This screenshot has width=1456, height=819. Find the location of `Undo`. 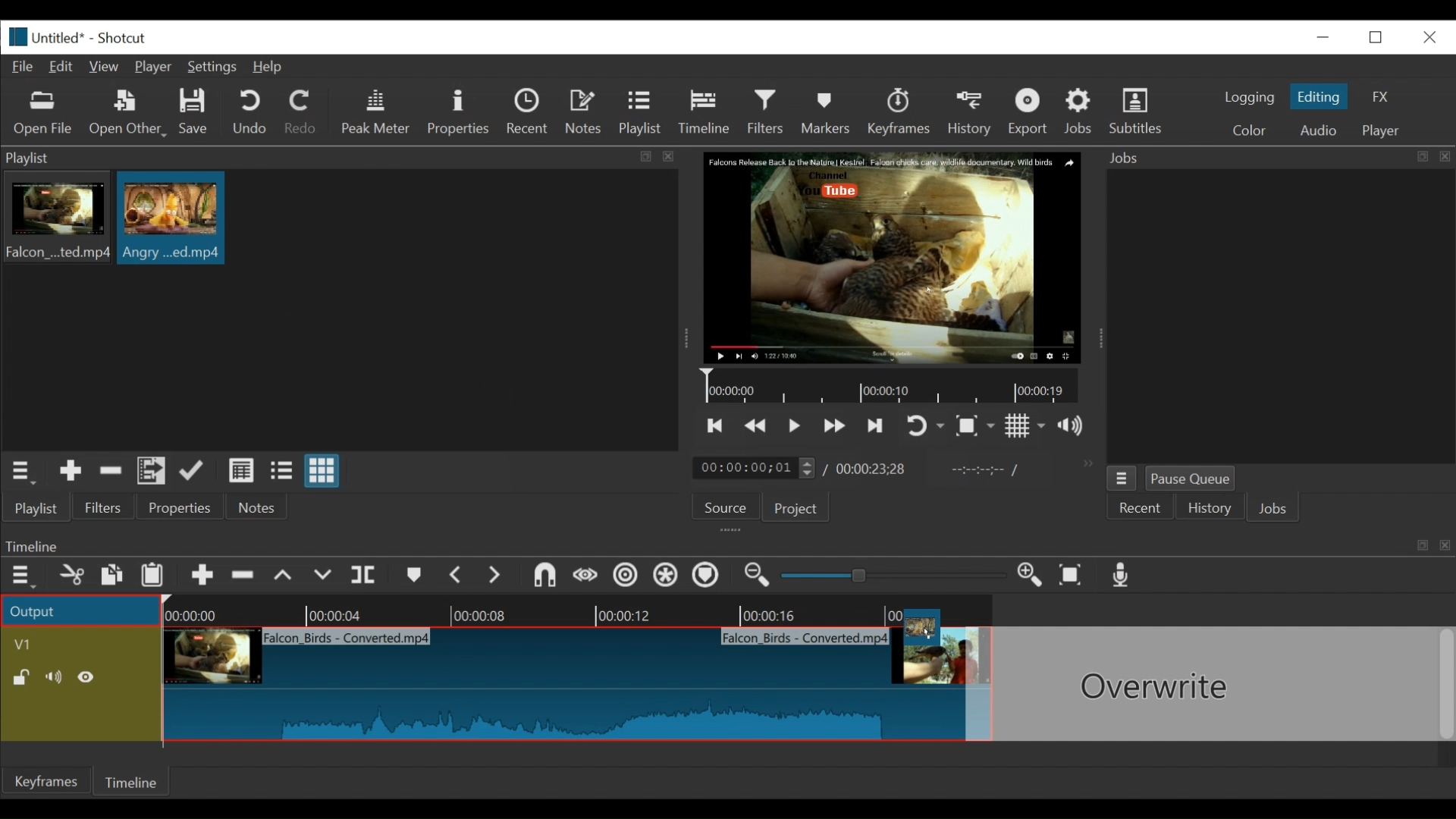

Undo is located at coordinates (252, 113).